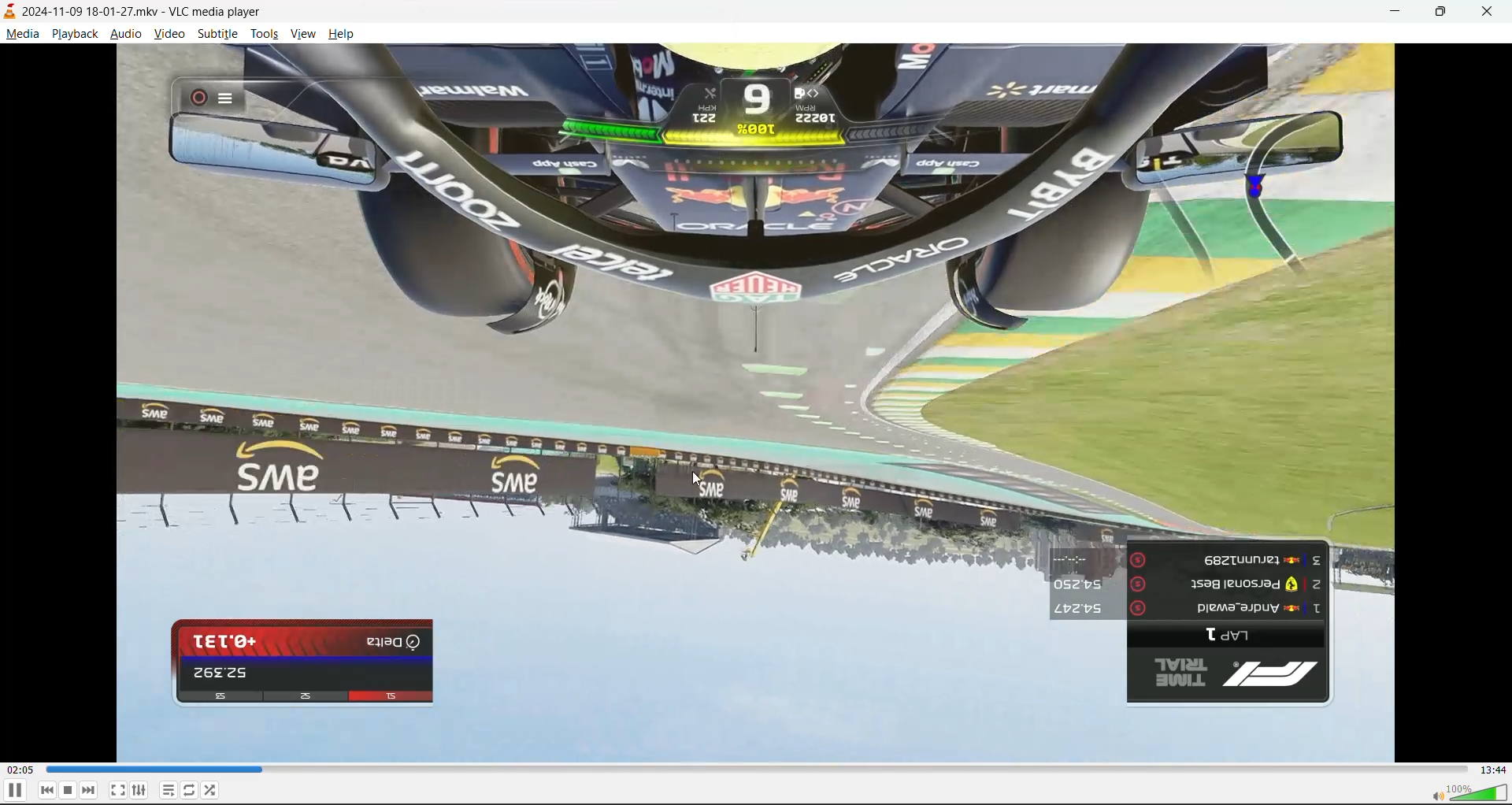 Image resolution: width=1512 pixels, height=805 pixels. I want to click on video, so click(169, 37).